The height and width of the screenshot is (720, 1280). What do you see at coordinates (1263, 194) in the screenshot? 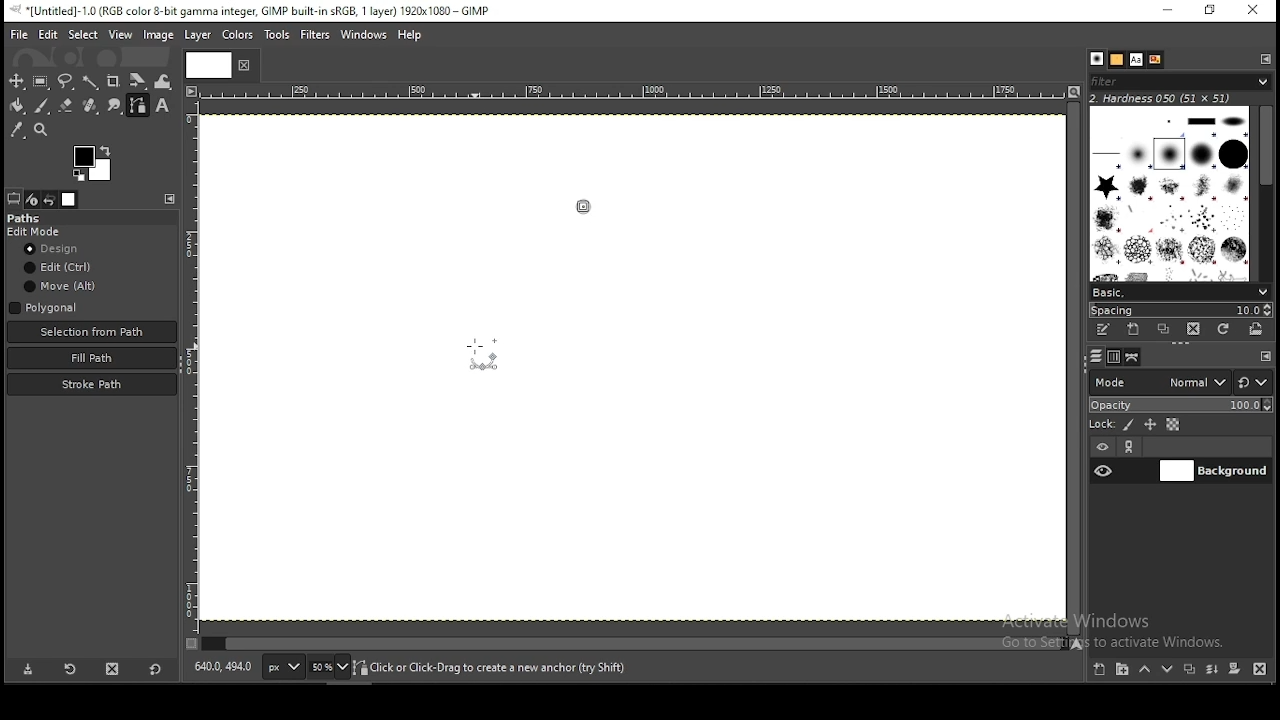
I see `scroll bar` at bounding box center [1263, 194].